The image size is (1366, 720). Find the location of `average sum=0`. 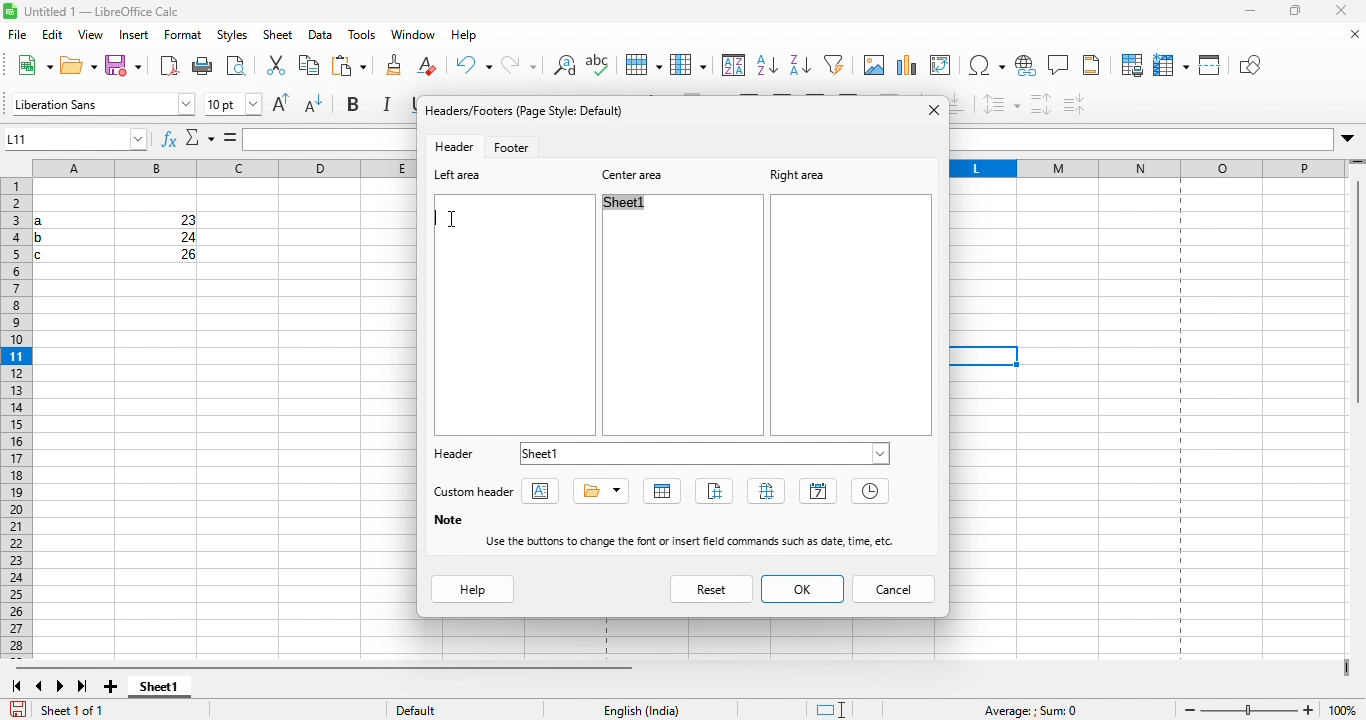

average sum=0 is located at coordinates (1027, 708).